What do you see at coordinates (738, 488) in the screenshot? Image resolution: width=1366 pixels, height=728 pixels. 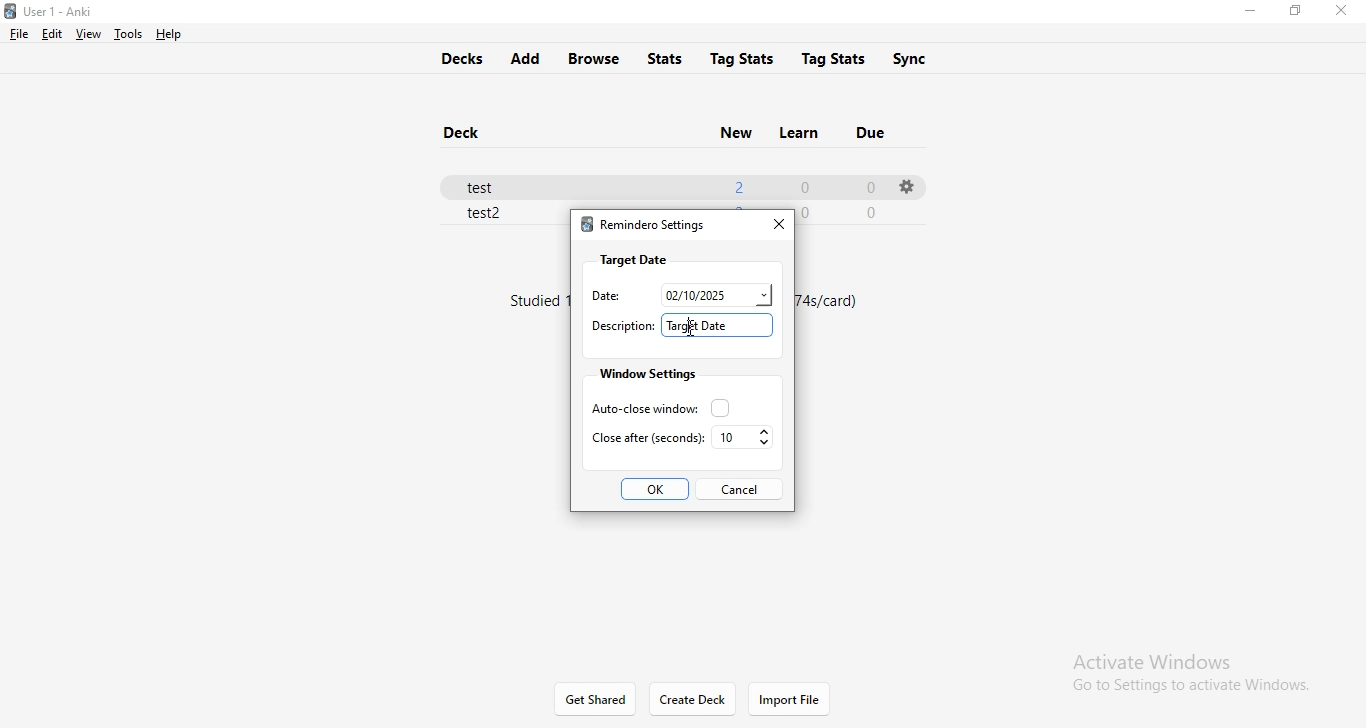 I see `cancel` at bounding box center [738, 488].